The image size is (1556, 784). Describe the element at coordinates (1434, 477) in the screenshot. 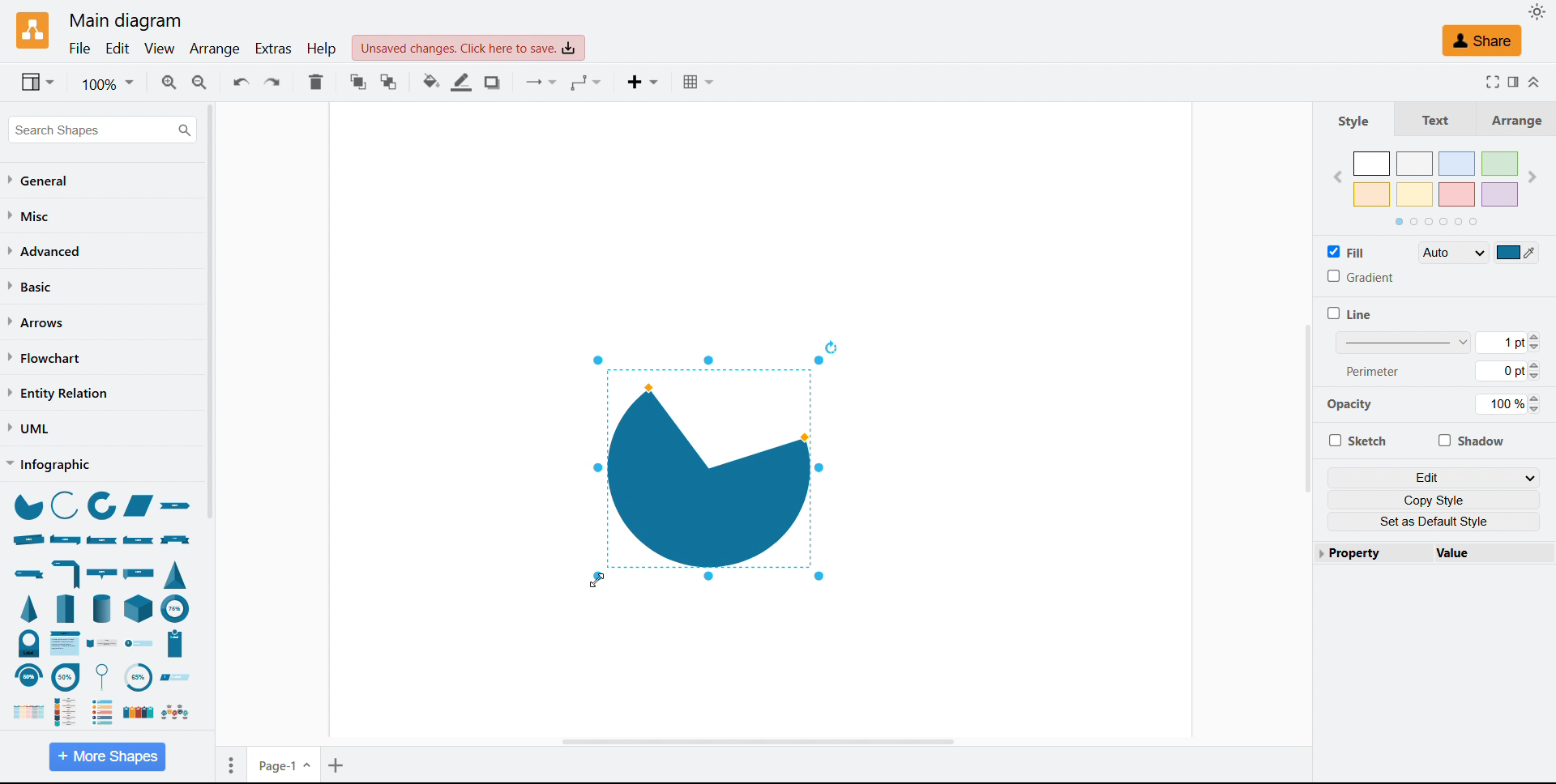

I see `Edit options ` at that location.